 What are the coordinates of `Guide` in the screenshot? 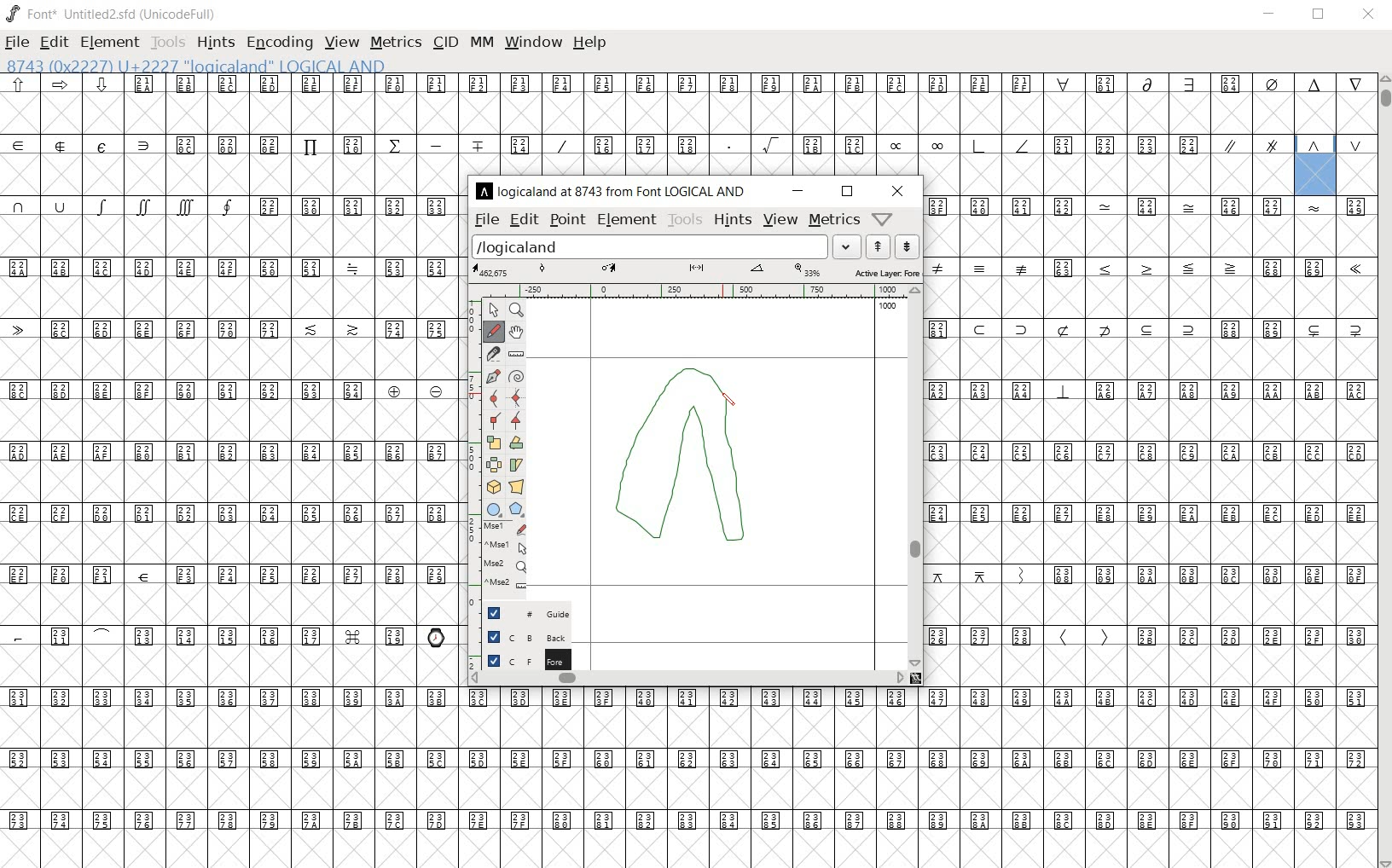 It's located at (525, 613).